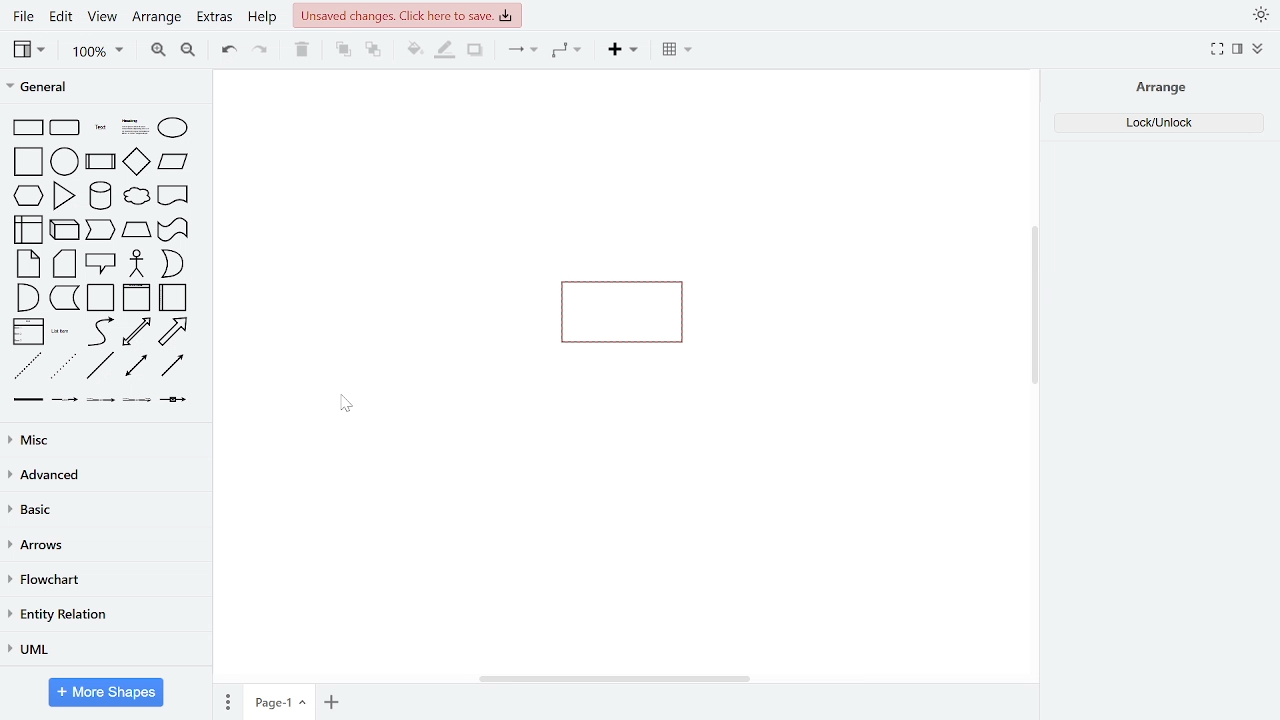 The image size is (1280, 720). I want to click on zoom out, so click(190, 50).